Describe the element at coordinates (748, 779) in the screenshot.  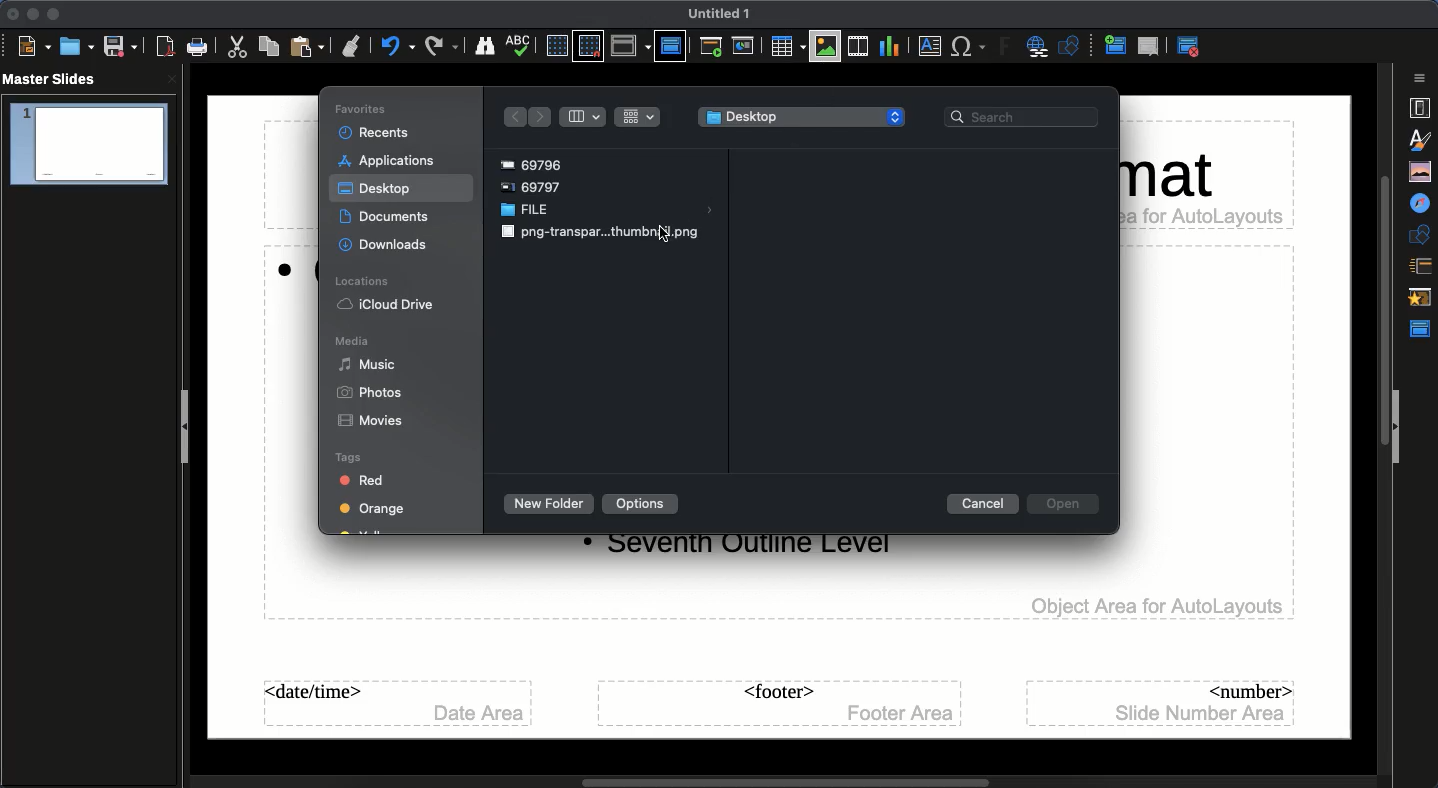
I see `Scroll` at that location.